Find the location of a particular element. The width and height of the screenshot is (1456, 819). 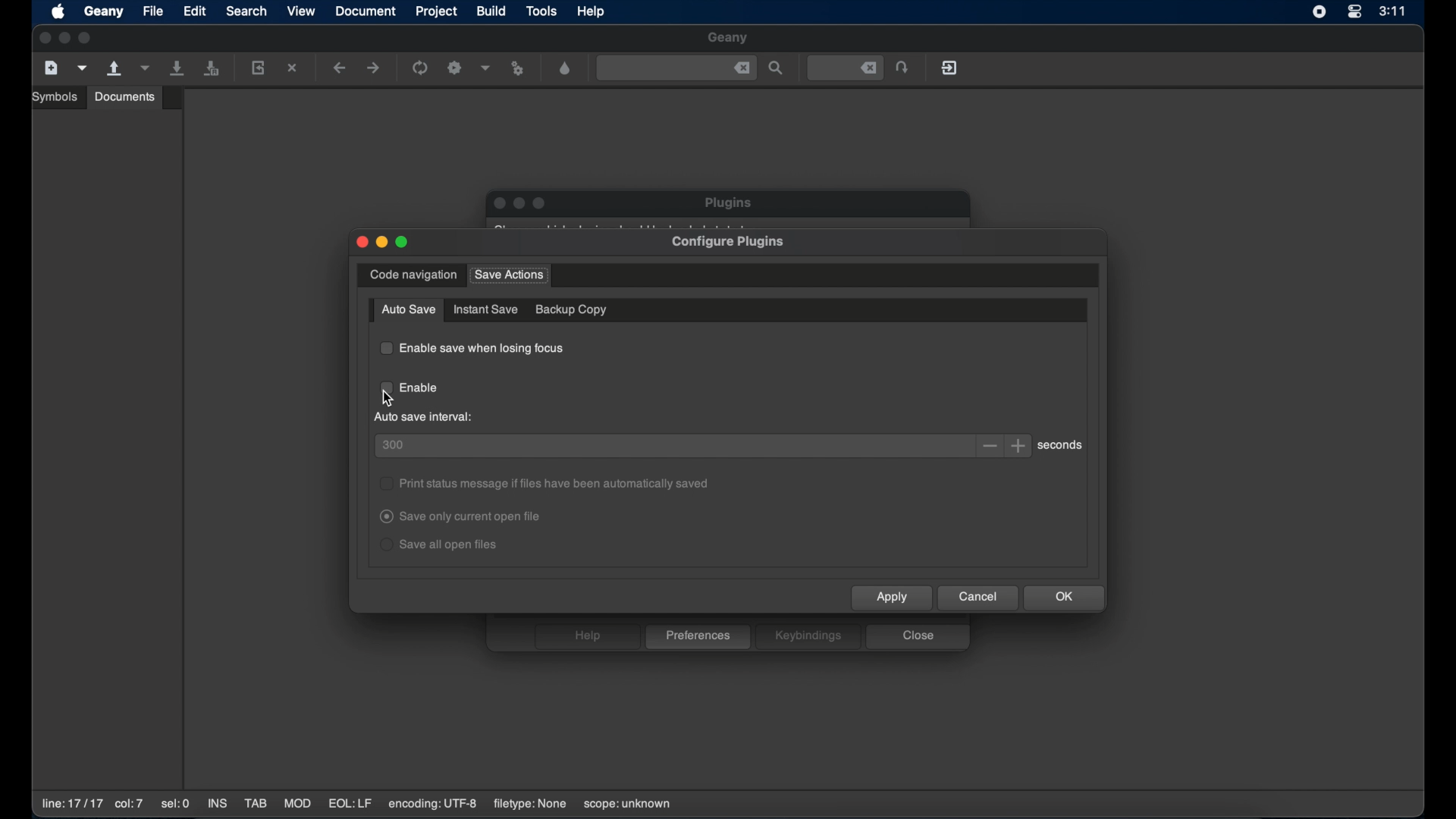

help is located at coordinates (592, 11).